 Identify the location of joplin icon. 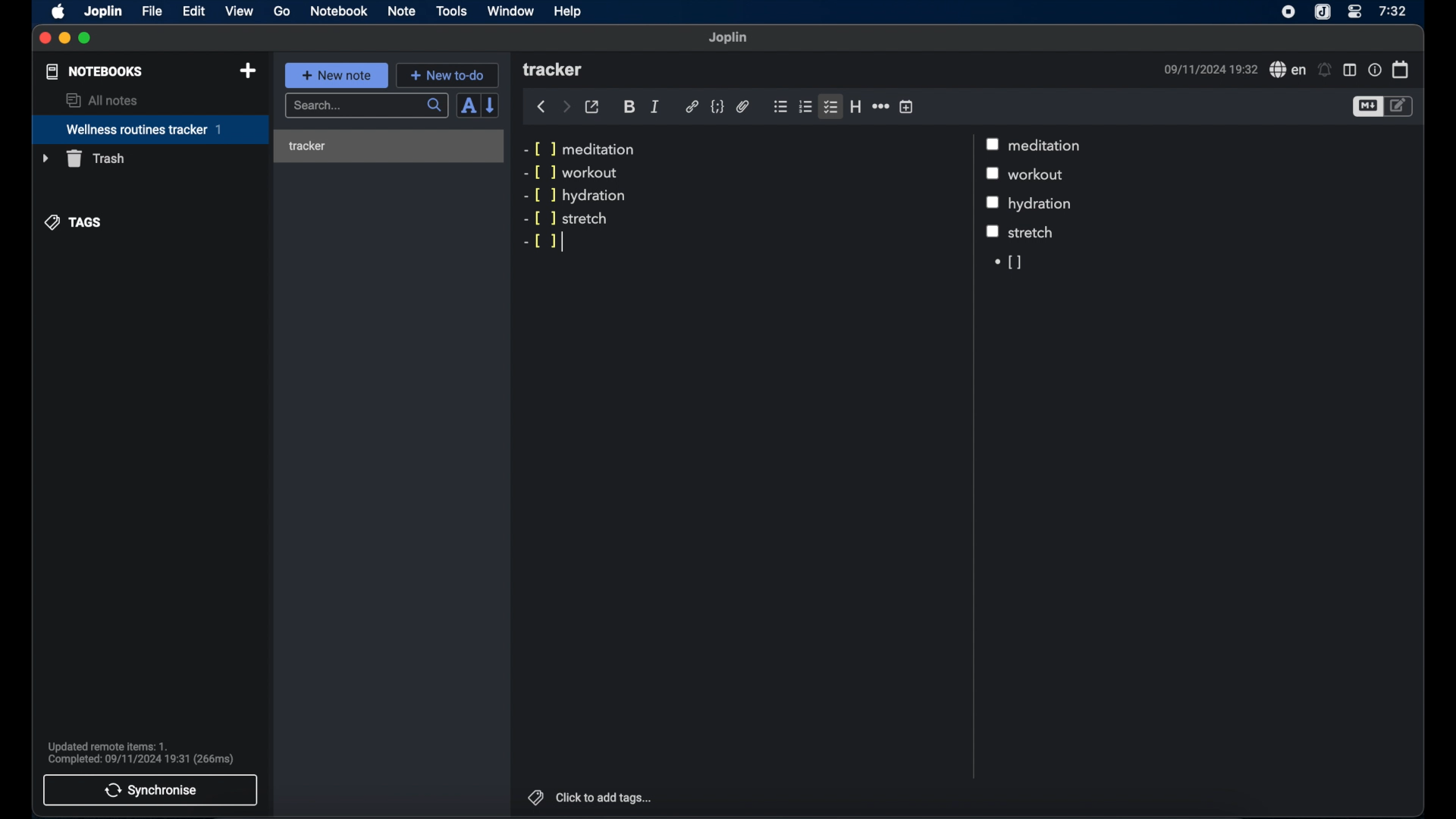
(1323, 12).